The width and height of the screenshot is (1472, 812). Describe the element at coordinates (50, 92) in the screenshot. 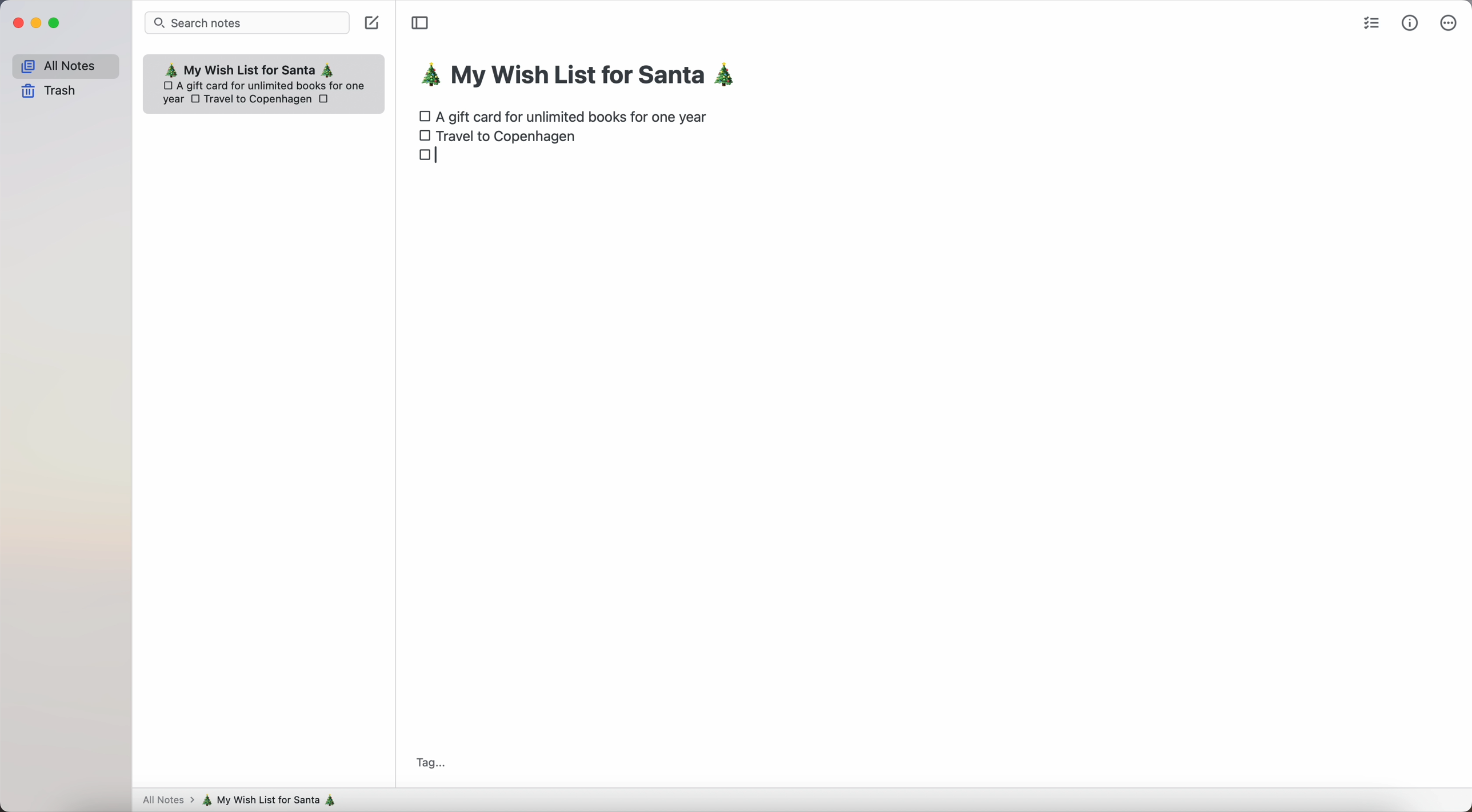

I see `trash` at that location.